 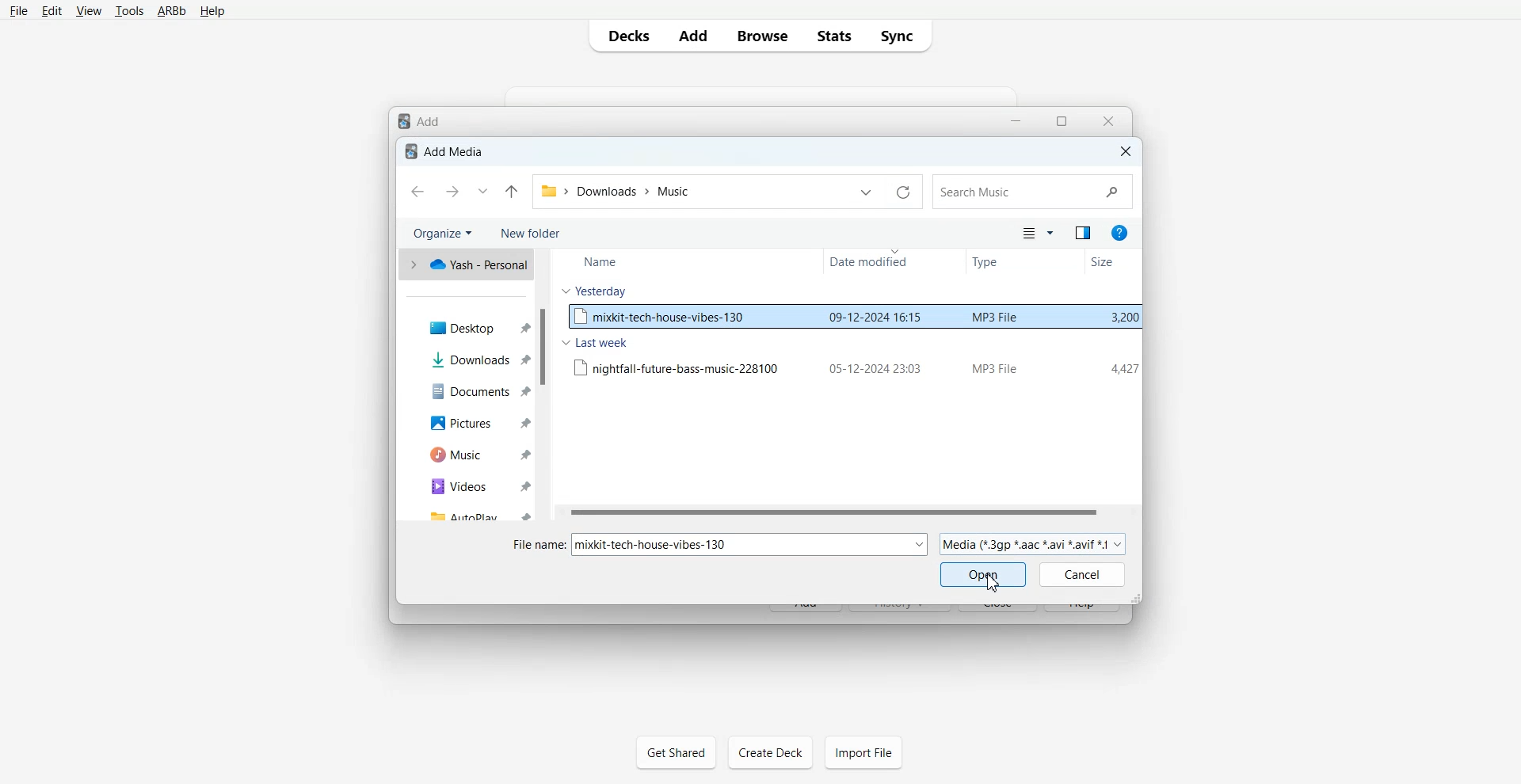 What do you see at coordinates (1061, 122) in the screenshot?
I see `Maximize` at bounding box center [1061, 122].